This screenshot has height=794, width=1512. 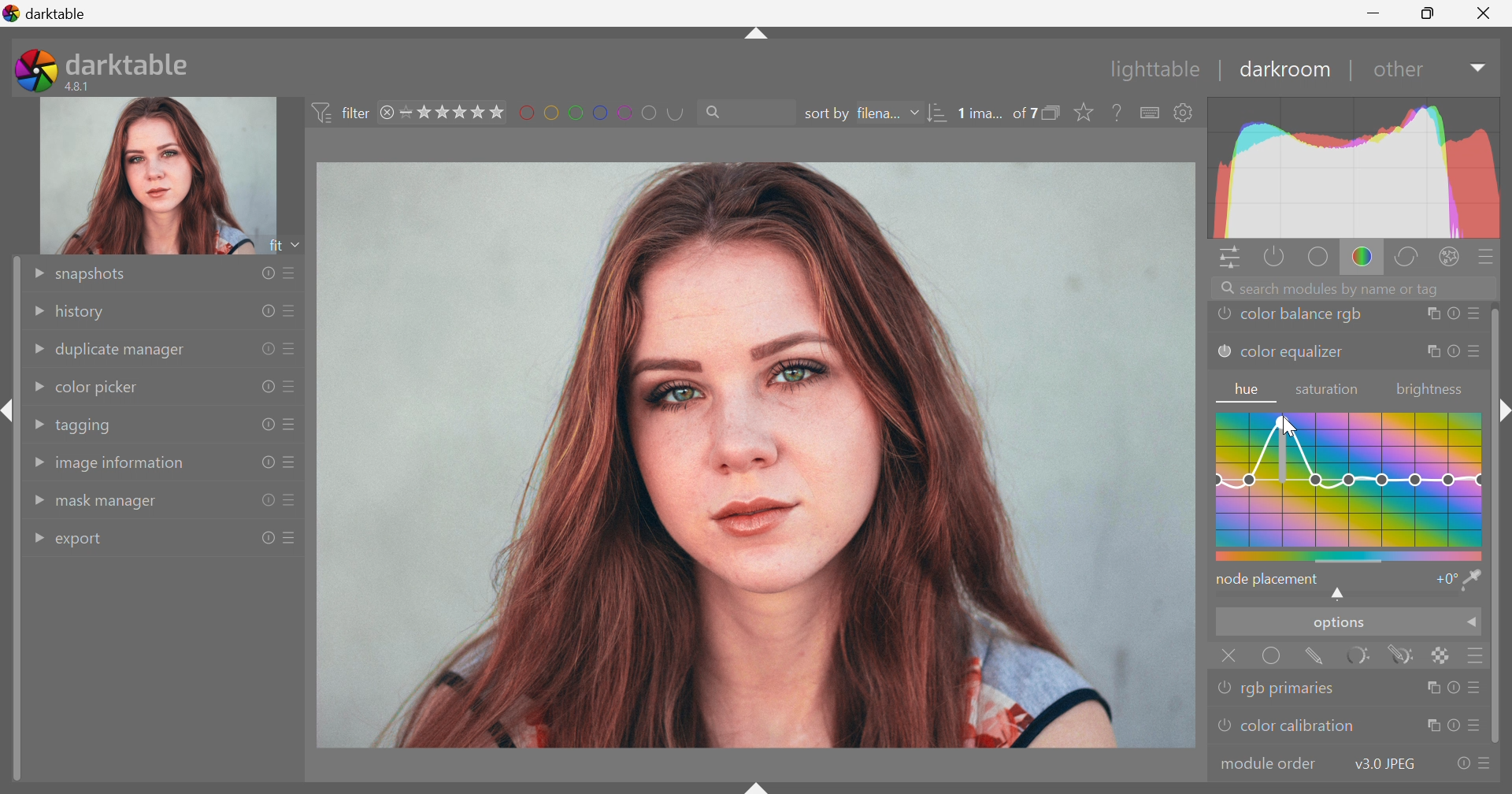 What do you see at coordinates (291, 348) in the screenshot?
I see `presets` at bounding box center [291, 348].